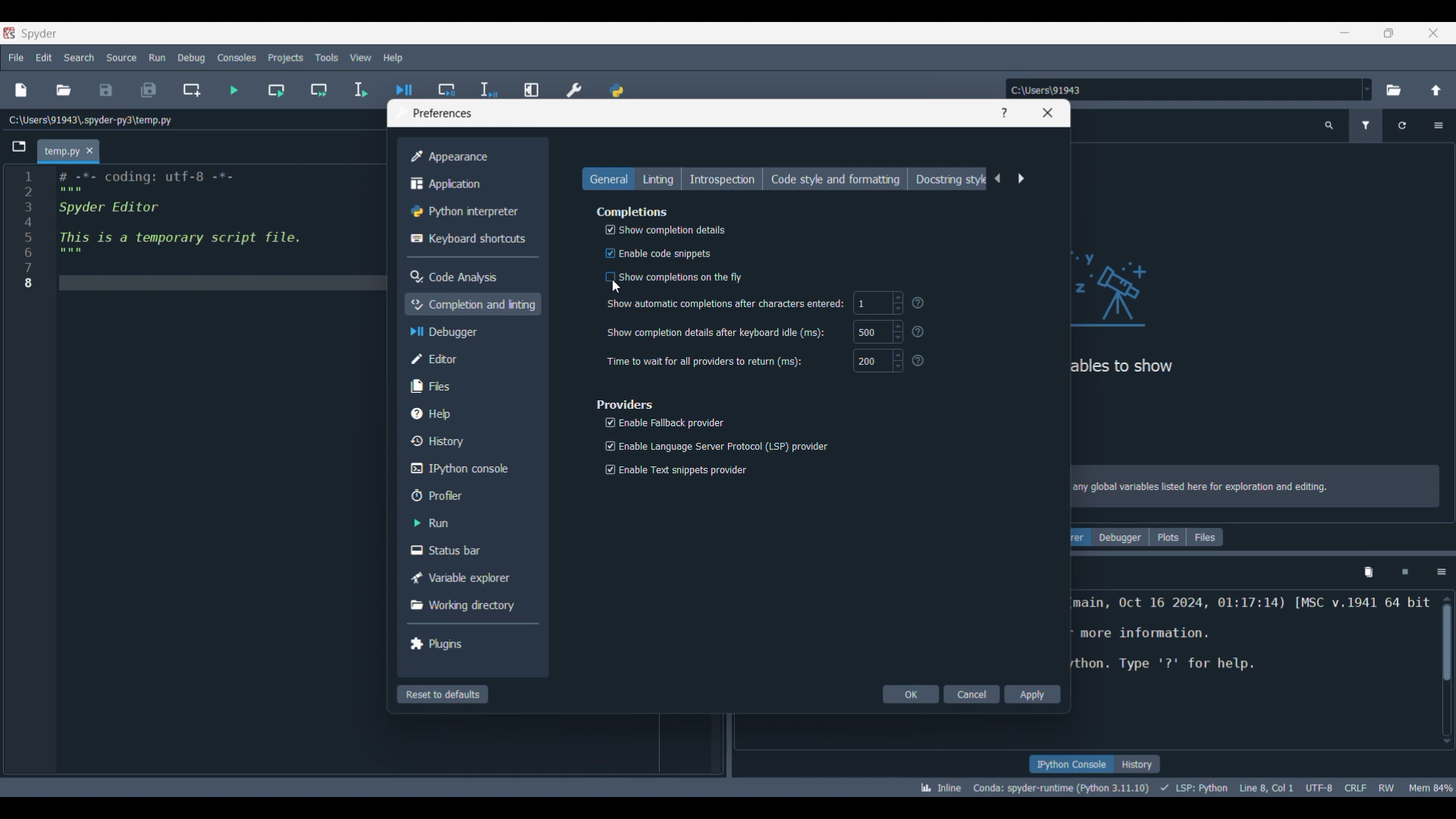  What do you see at coordinates (471, 441) in the screenshot?
I see `History` at bounding box center [471, 441].